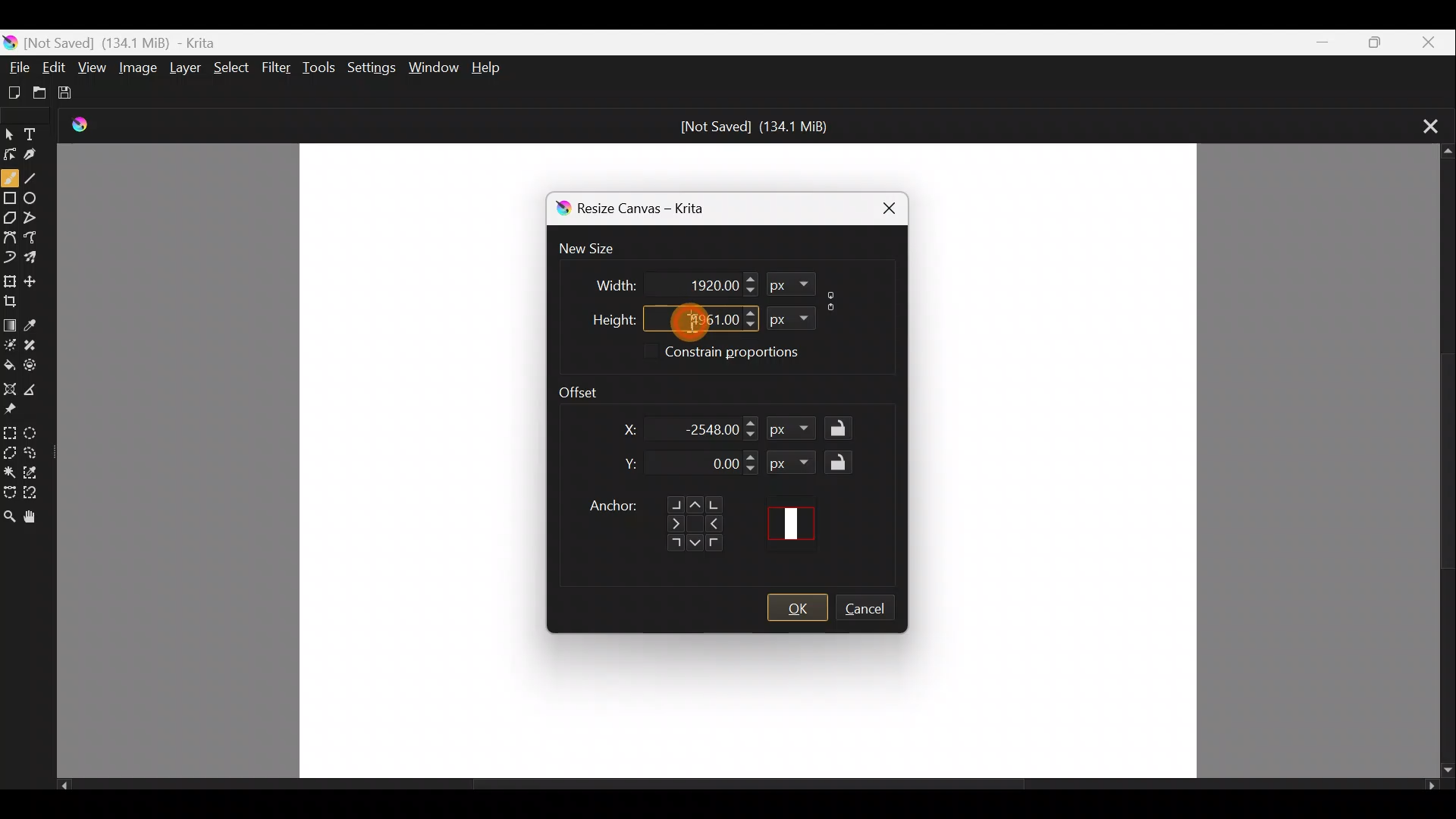 Image resolution: width=1456 pixels, height=819 pixels. I want to click on Calligraphy, so click(40, 156).